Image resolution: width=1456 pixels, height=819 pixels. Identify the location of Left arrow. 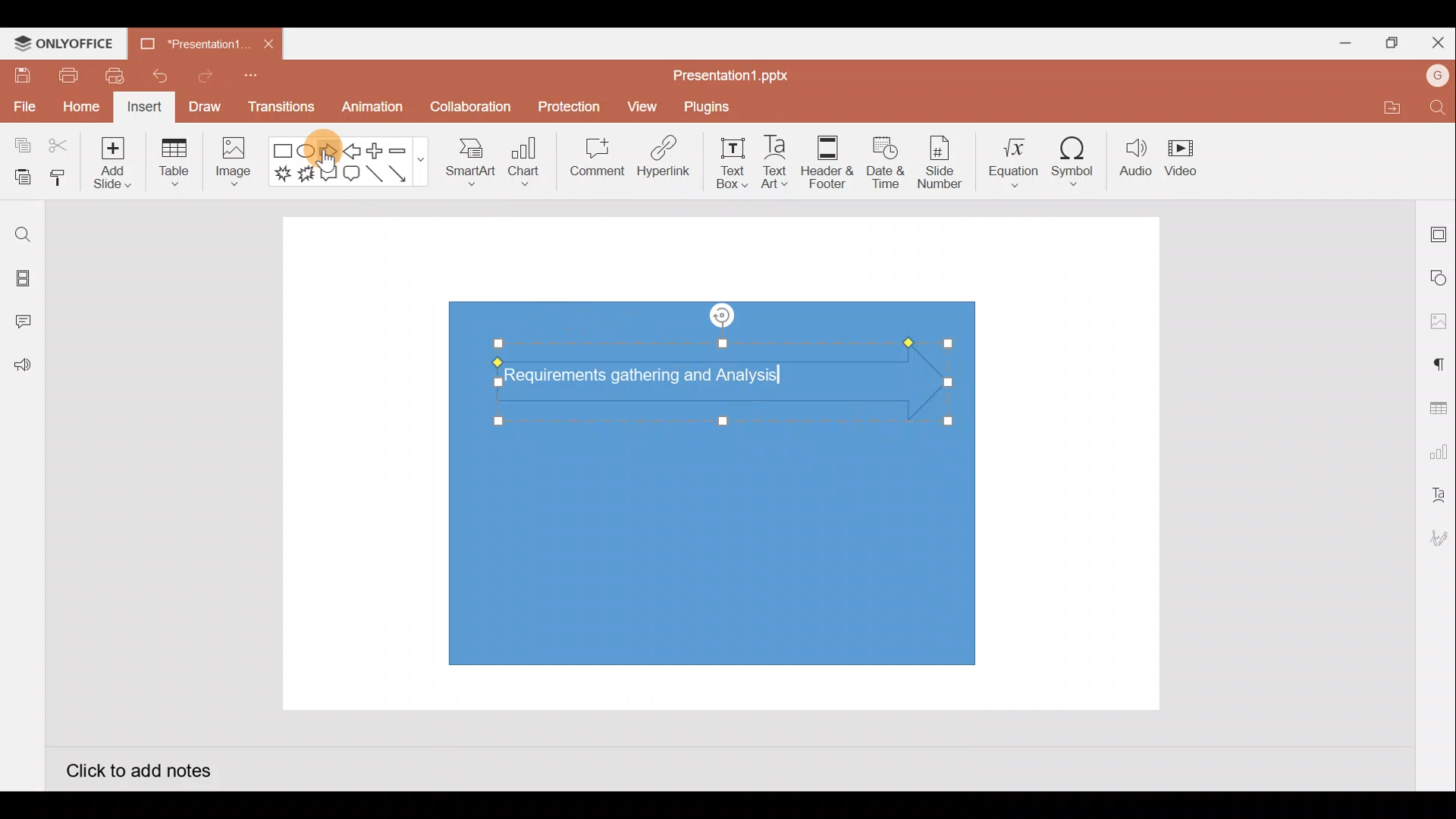
(353, 151).